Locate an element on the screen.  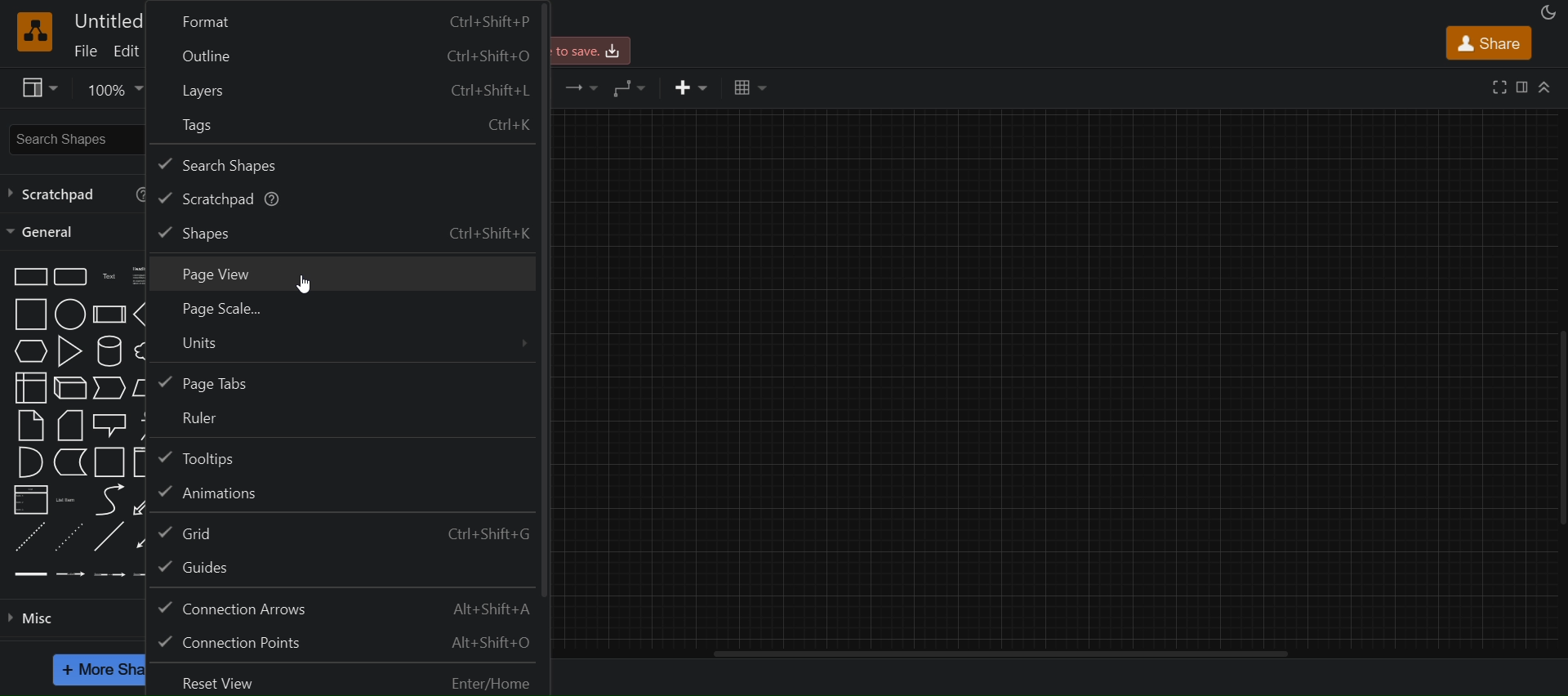
ruler is located at coordinates (345, 418).